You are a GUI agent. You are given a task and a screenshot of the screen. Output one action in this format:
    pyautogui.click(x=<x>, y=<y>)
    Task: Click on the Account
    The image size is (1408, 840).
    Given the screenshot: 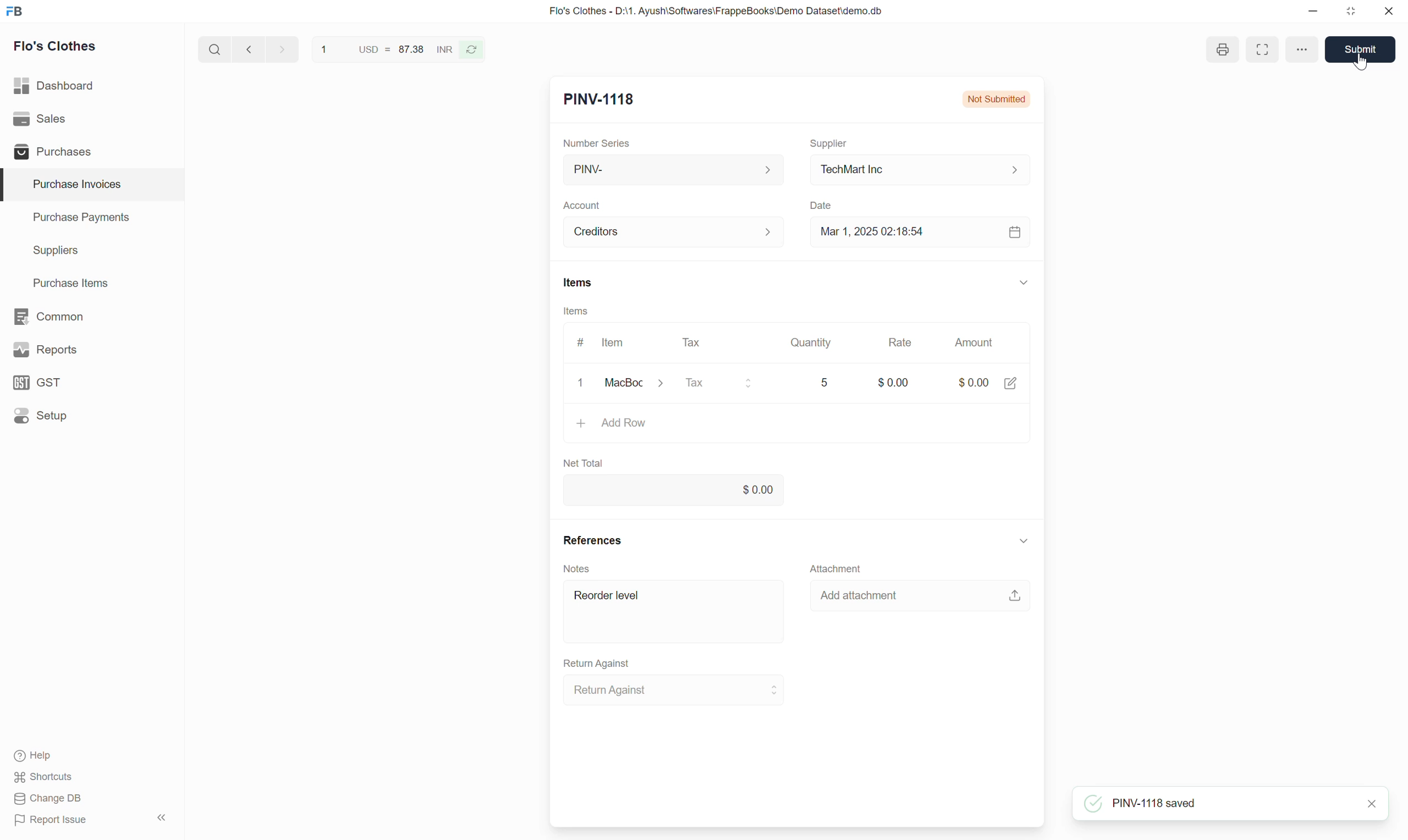 What is the action you would take?
    pyautogui.click(x=581, y=206)
    